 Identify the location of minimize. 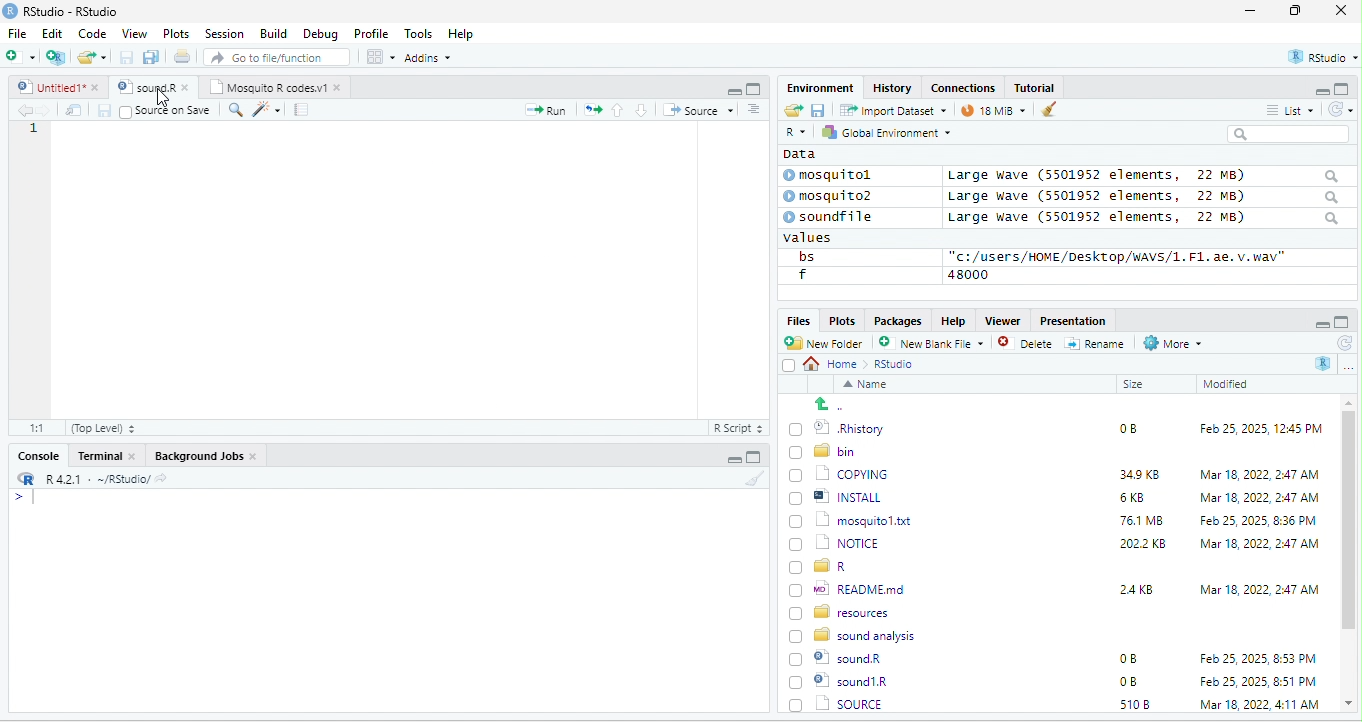
(1320, 323).